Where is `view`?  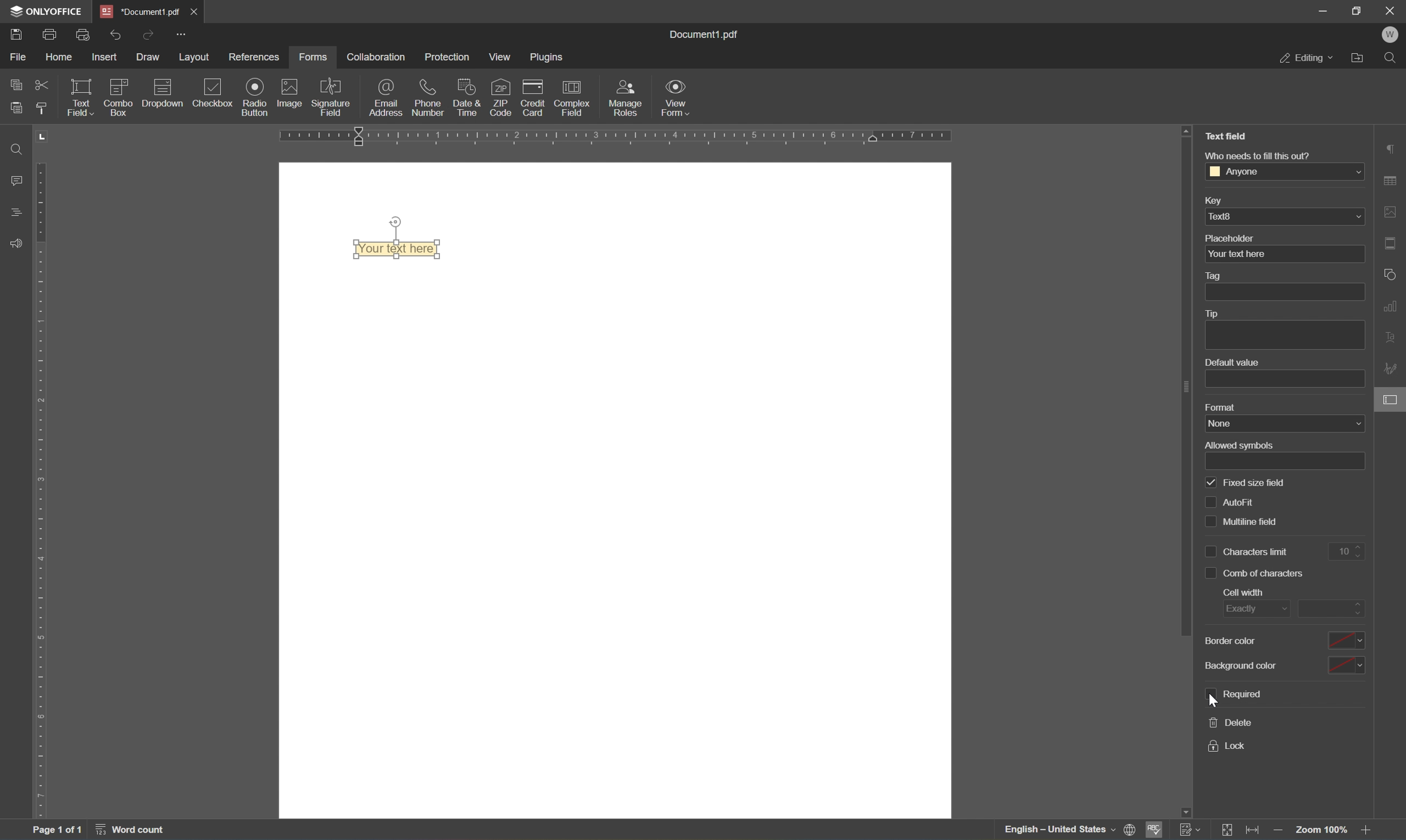 view is located at coordinates (499, 59).